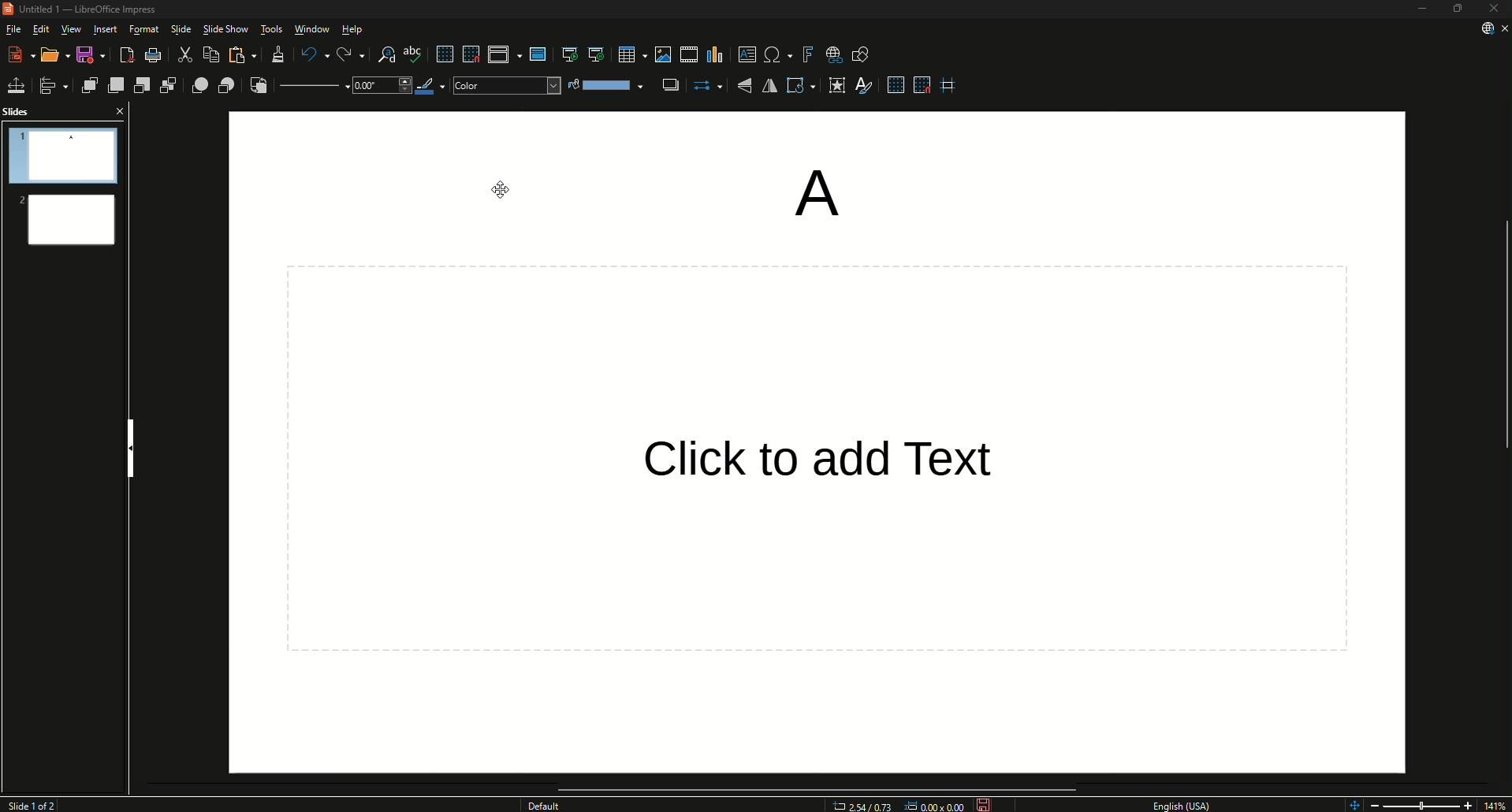 This screenshot has width=1512, height=812. Describe the element at coordinates (52, 85) in the screenshot. I see `Align Objects` at that location.